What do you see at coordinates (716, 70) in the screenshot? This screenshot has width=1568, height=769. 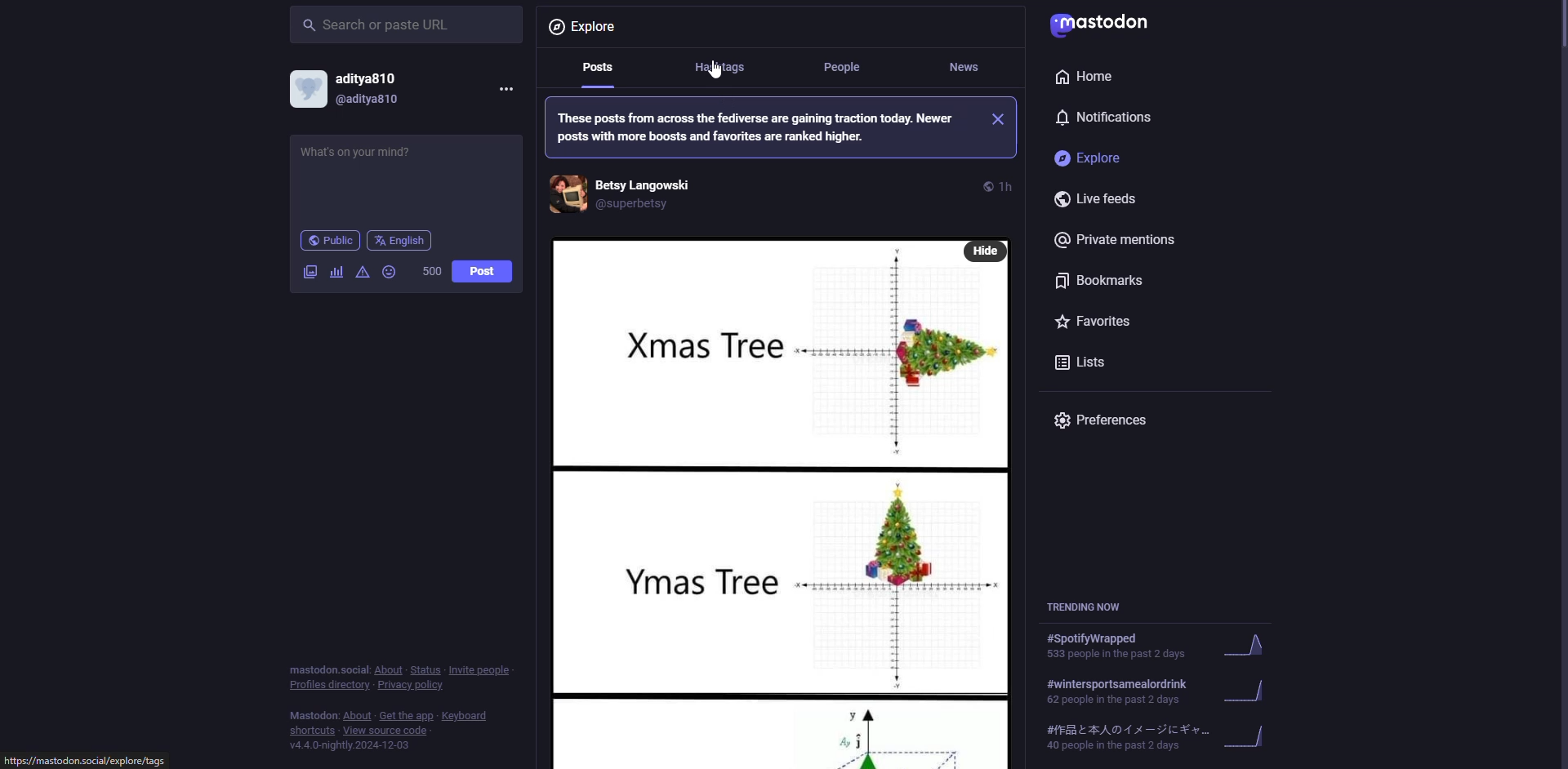 I see `cursor` at bounding box center [716, 70].